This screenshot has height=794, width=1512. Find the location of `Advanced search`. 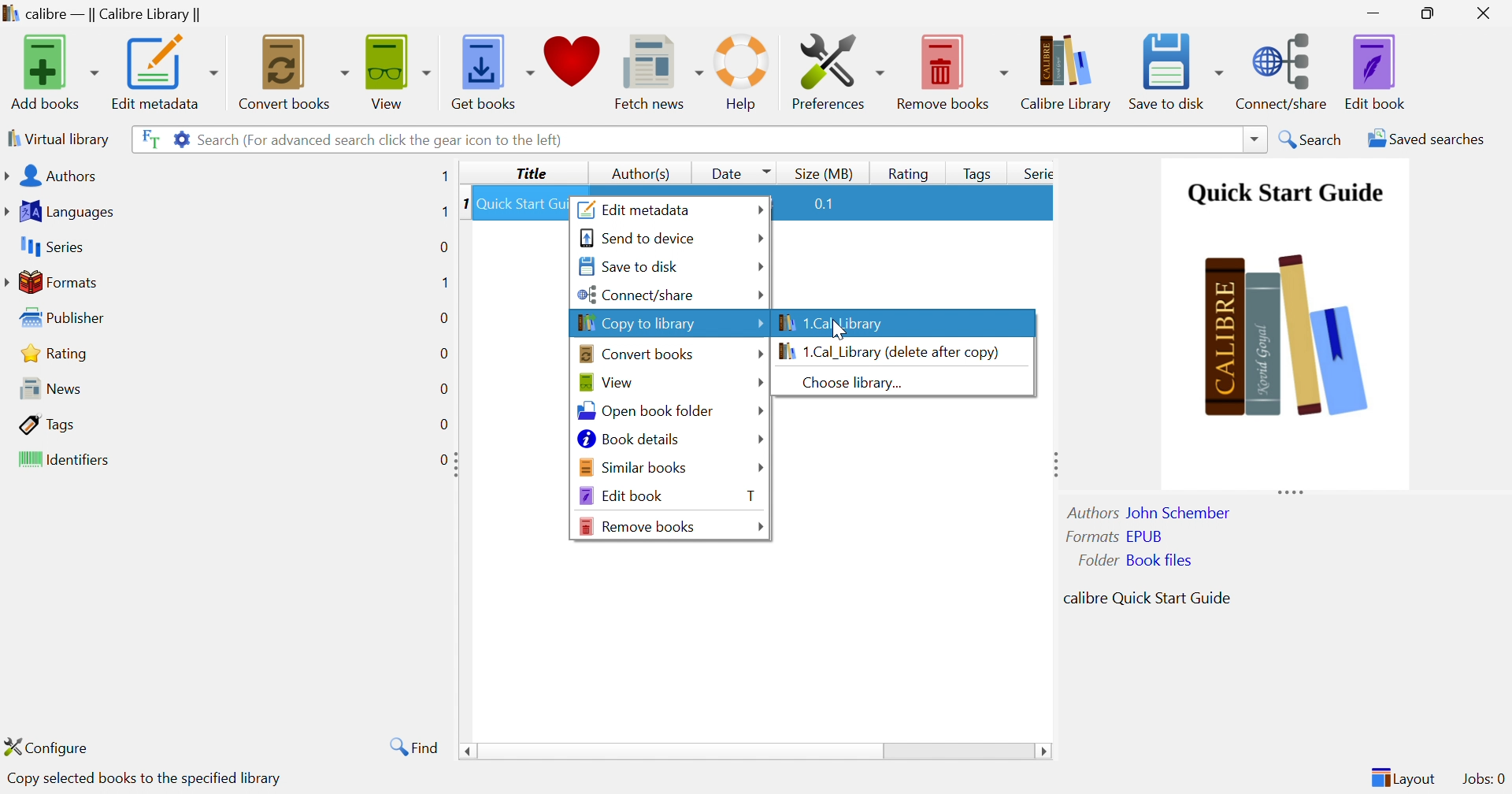

Advanced search is located at coordinates (177, 139).